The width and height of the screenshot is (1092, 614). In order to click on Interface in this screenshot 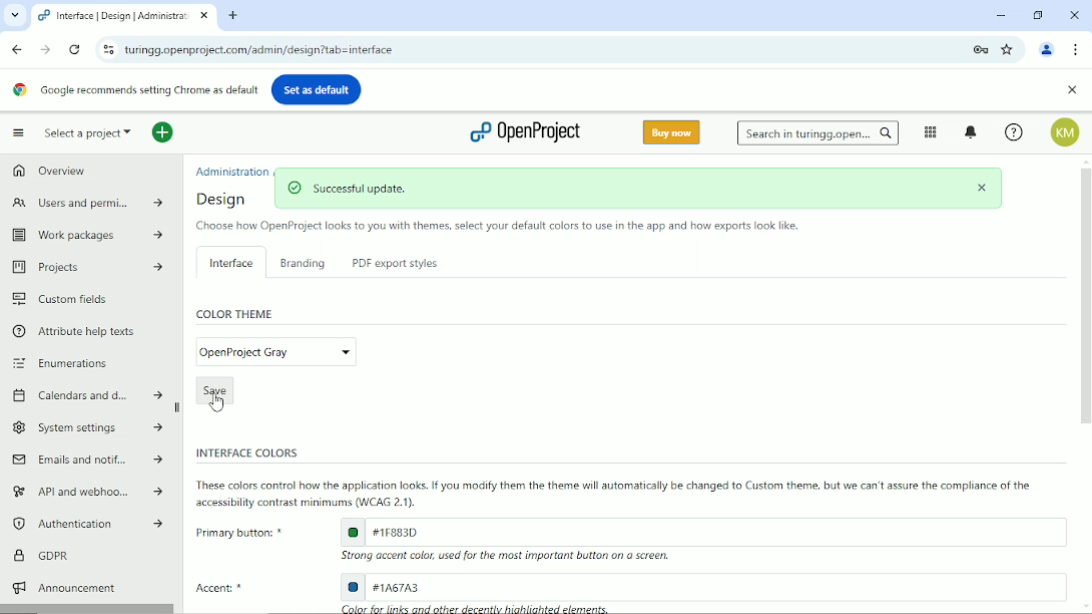, I will do `click(228, 261)`.